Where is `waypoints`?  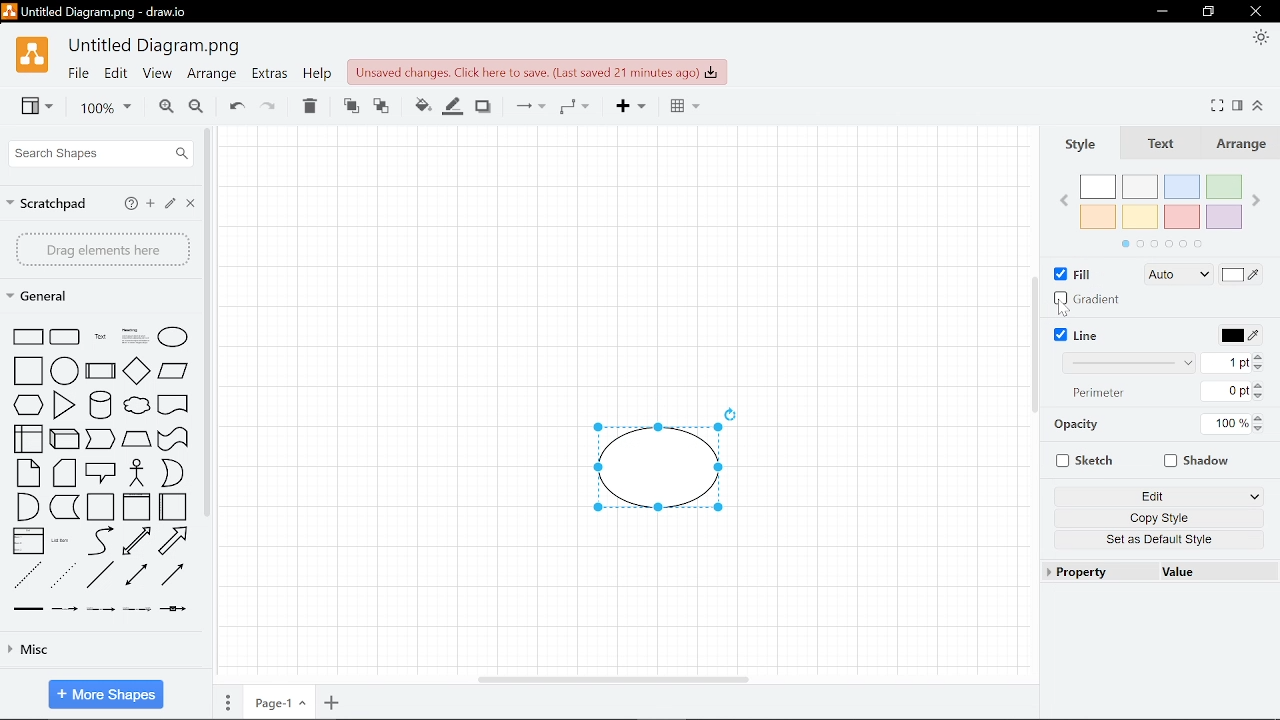 waypoints is located at coordinates (574, 106).